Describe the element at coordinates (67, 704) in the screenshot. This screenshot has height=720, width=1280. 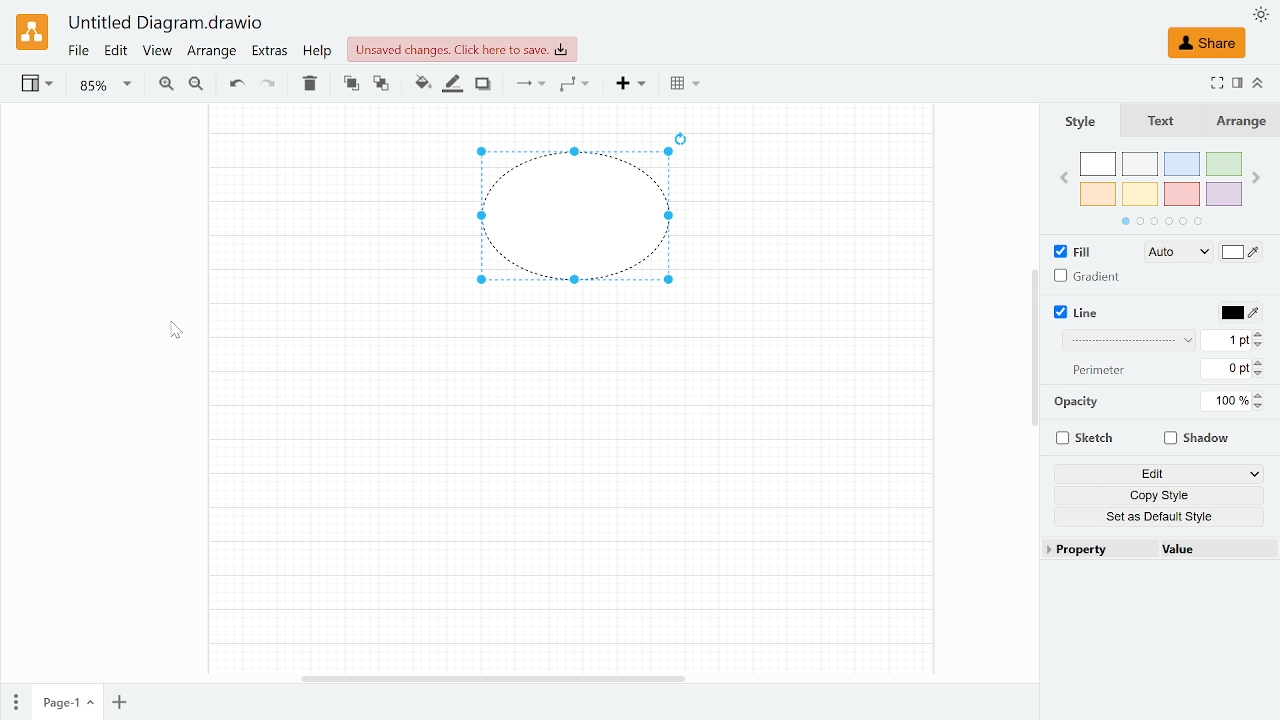
I see `Current page(page 1)` at that location.